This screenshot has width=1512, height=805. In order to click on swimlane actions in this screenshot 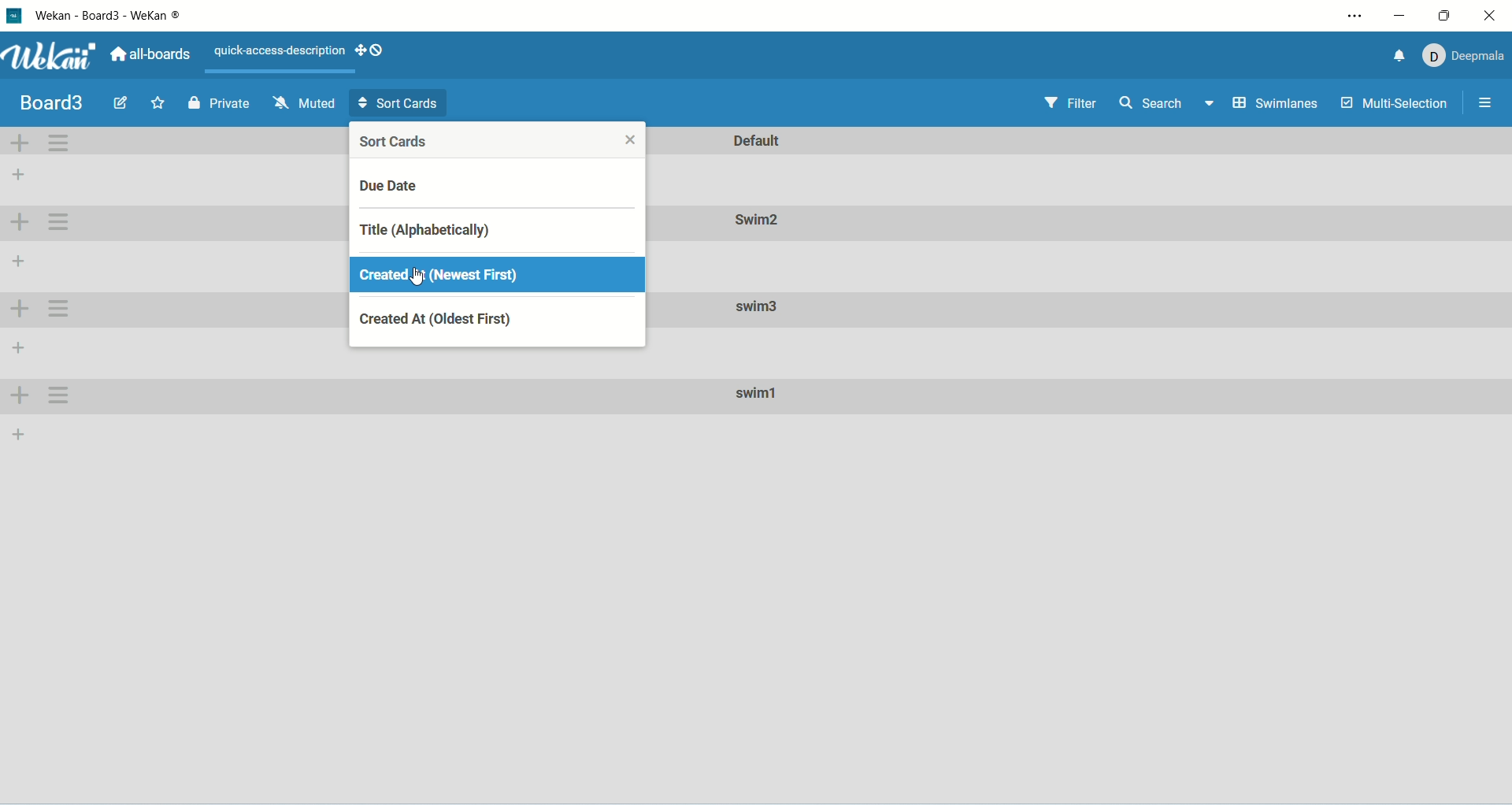, I will do `click(58, 395)`.